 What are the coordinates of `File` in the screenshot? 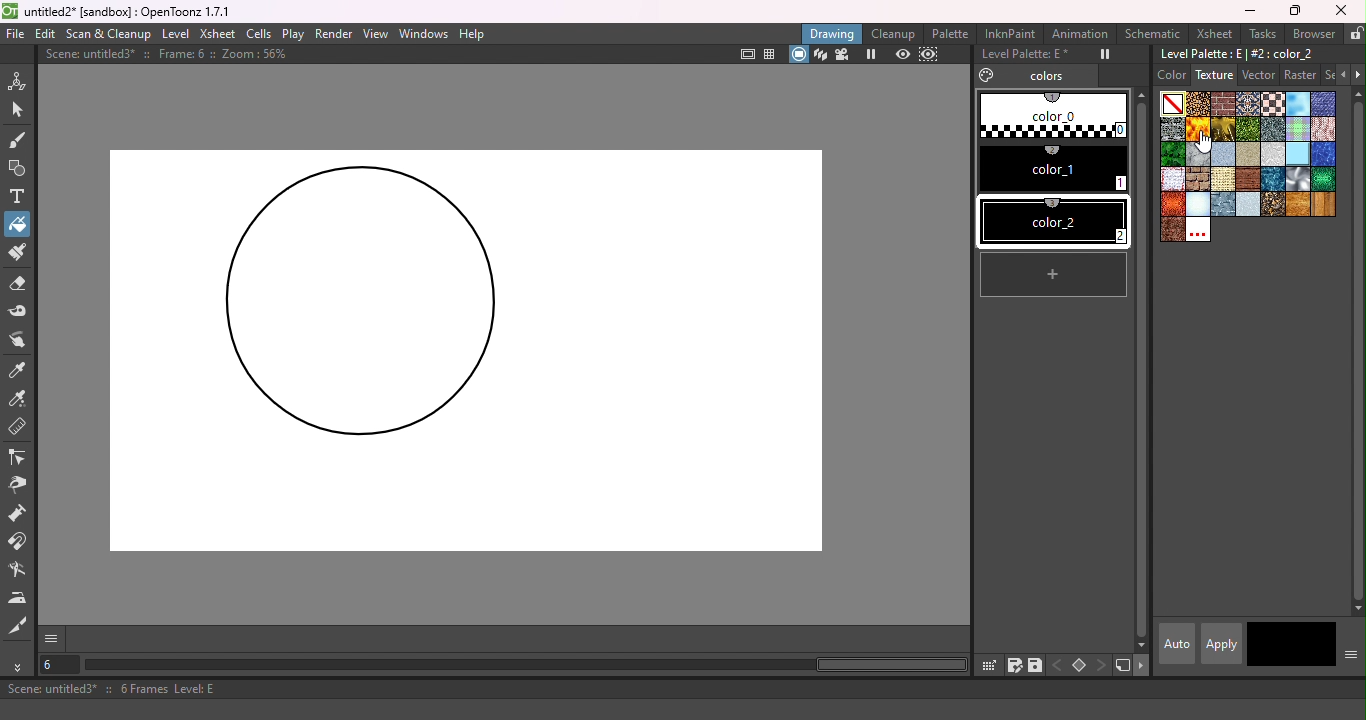 It's located at (16, 35).